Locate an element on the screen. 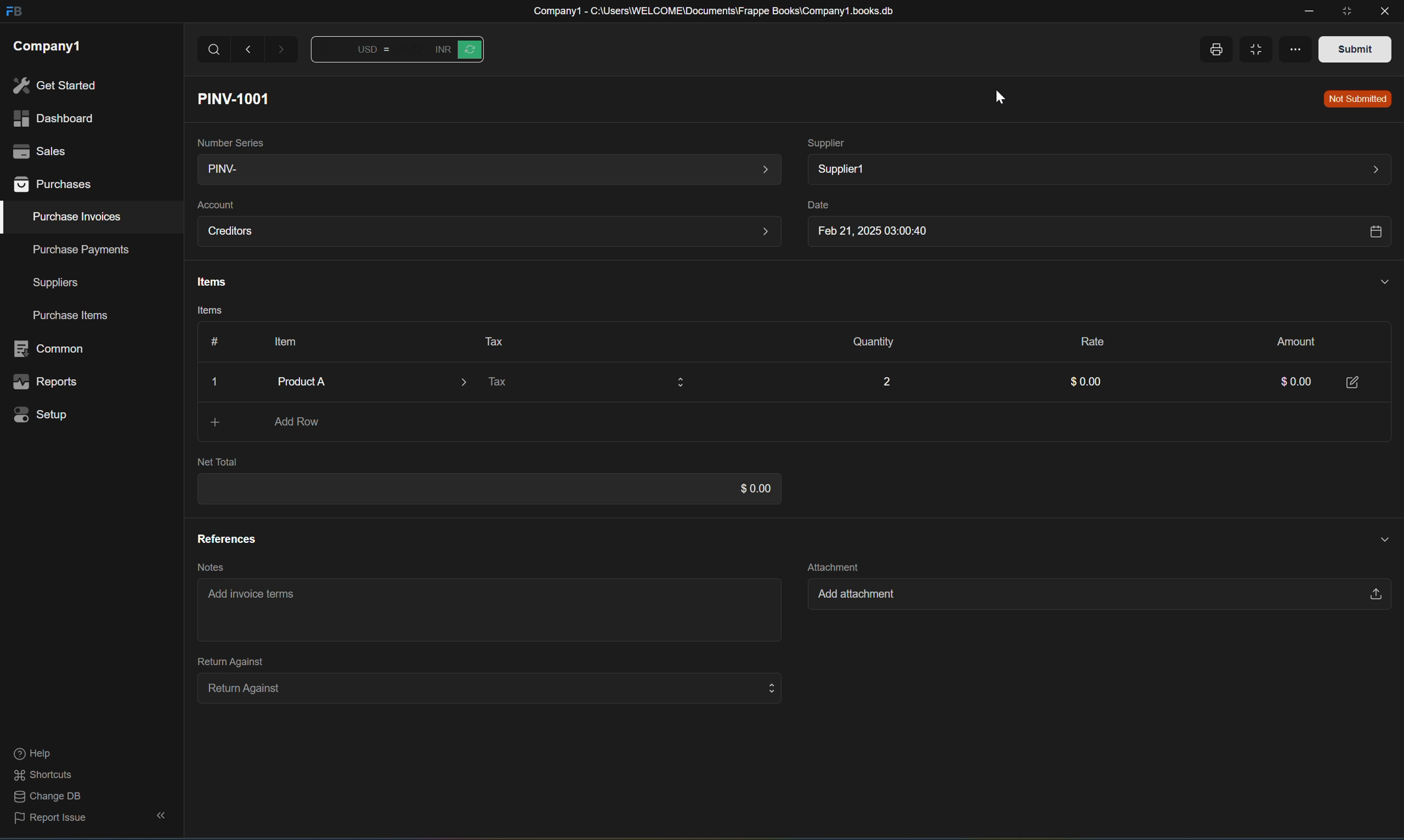  suppliers is located at coordinates (55, 283).